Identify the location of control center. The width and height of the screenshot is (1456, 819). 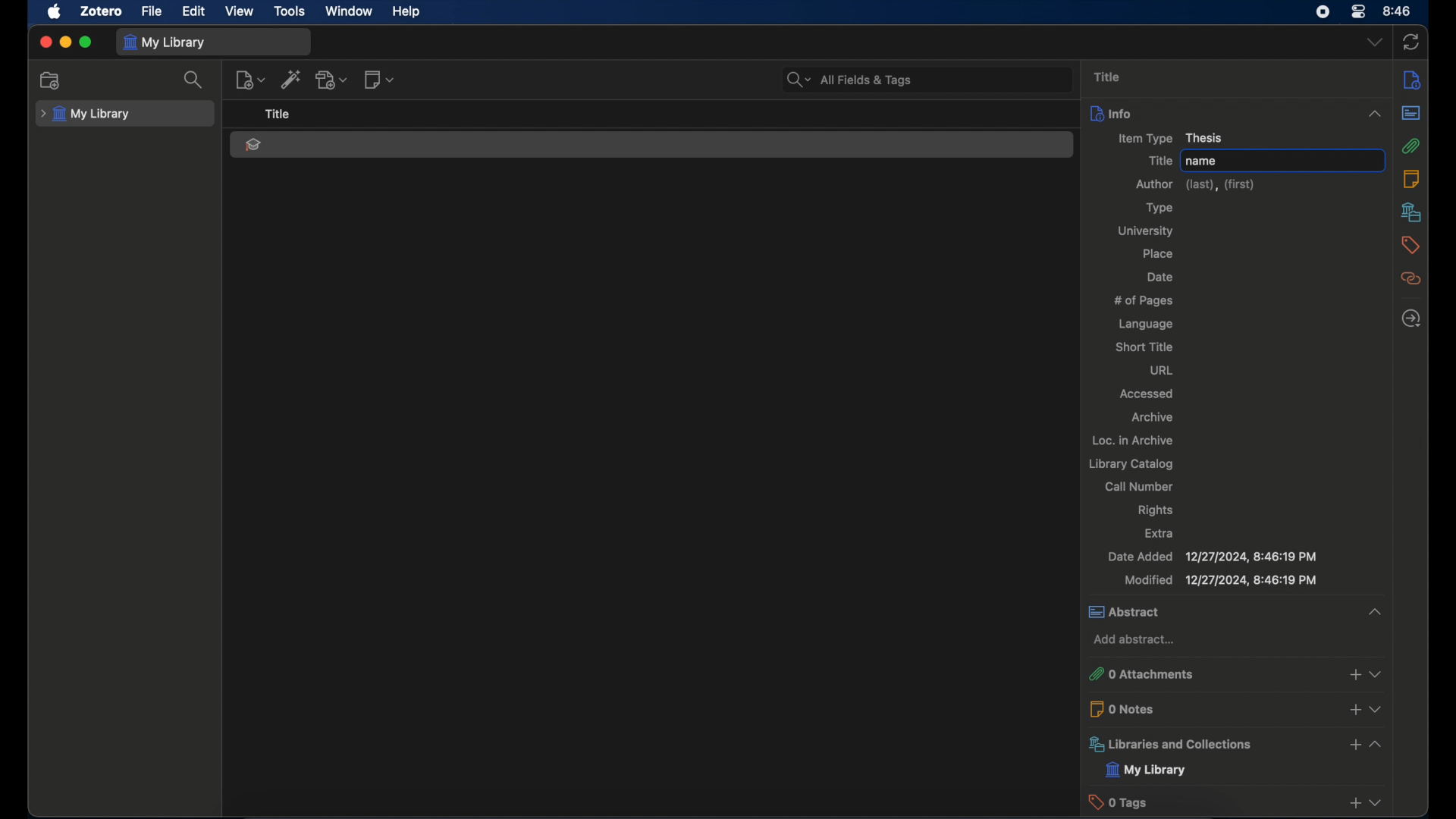
(1357, 12).